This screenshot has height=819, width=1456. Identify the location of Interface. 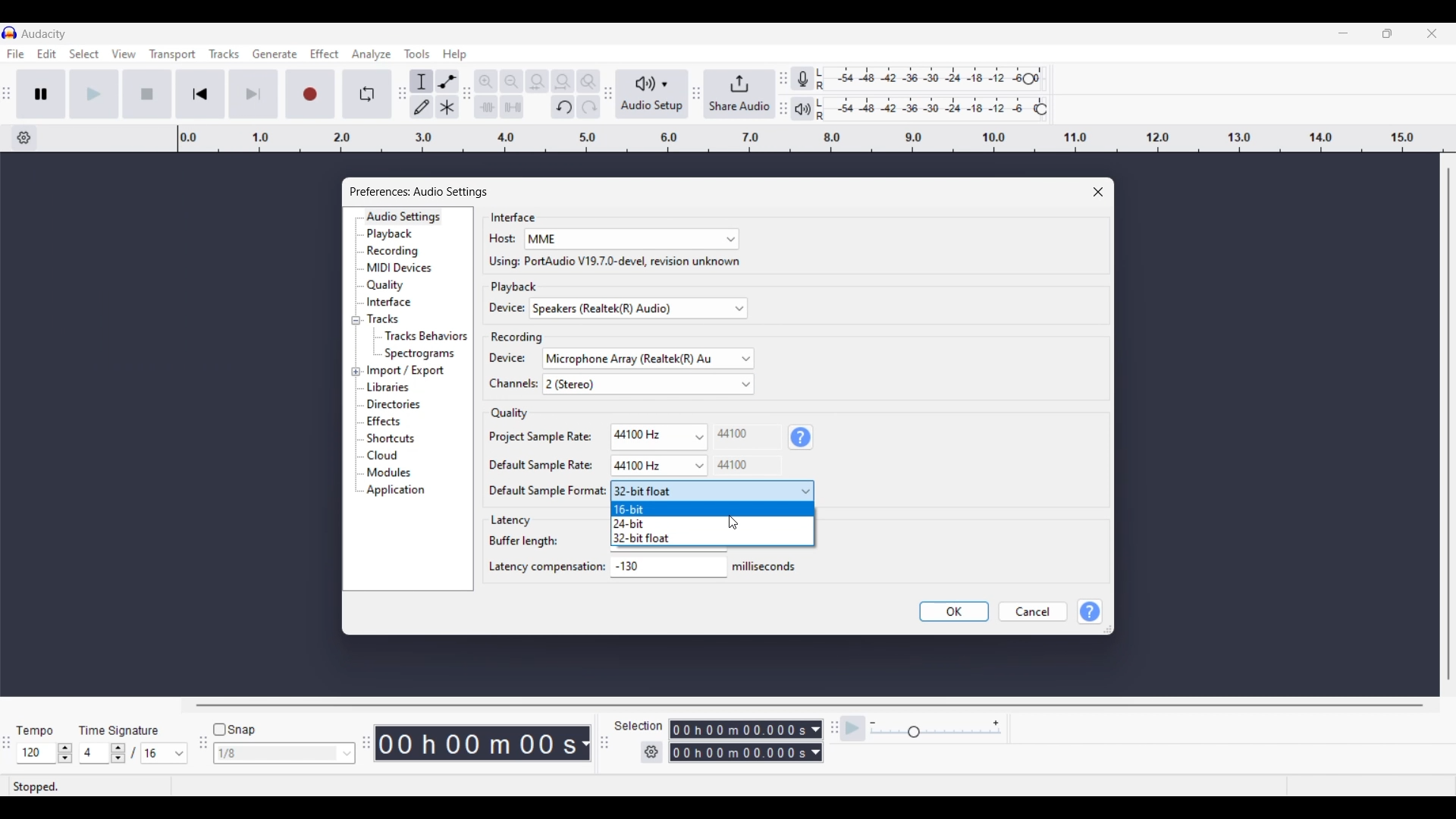
(507, 217).